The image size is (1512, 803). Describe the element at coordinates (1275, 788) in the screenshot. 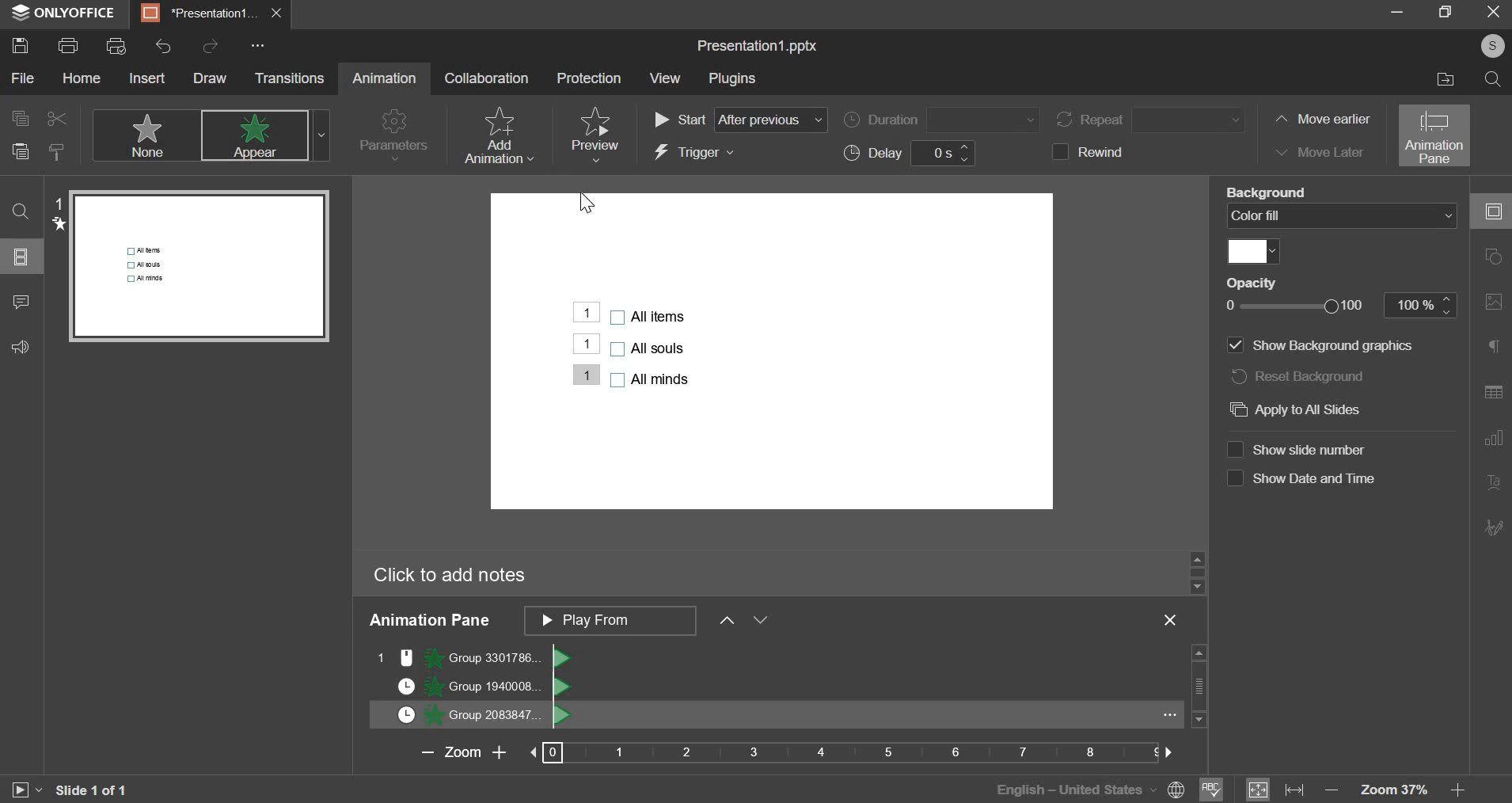

I see `fit` at that location.